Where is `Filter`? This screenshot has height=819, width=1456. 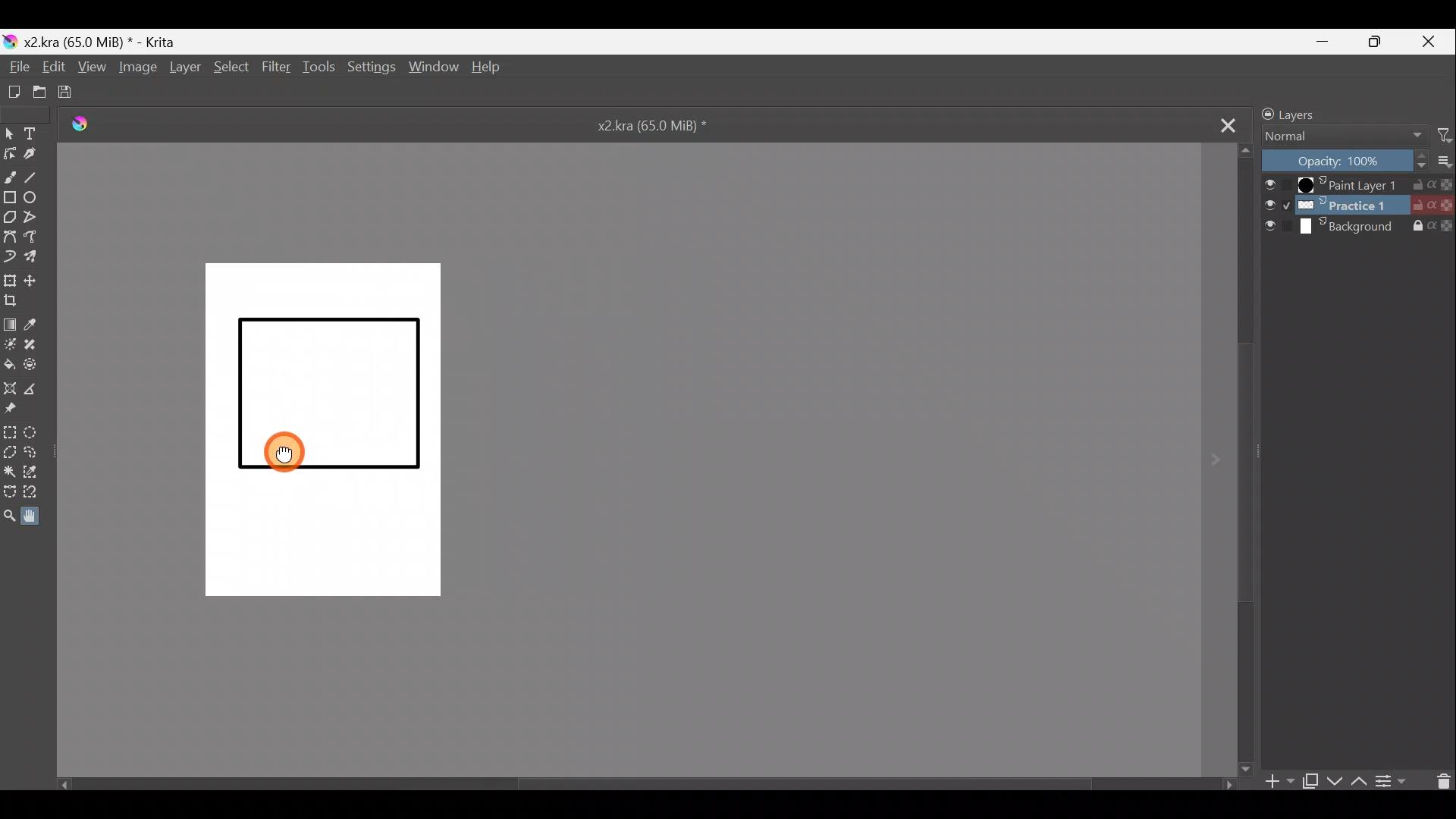 Filter is located at coordinates (275, 68).